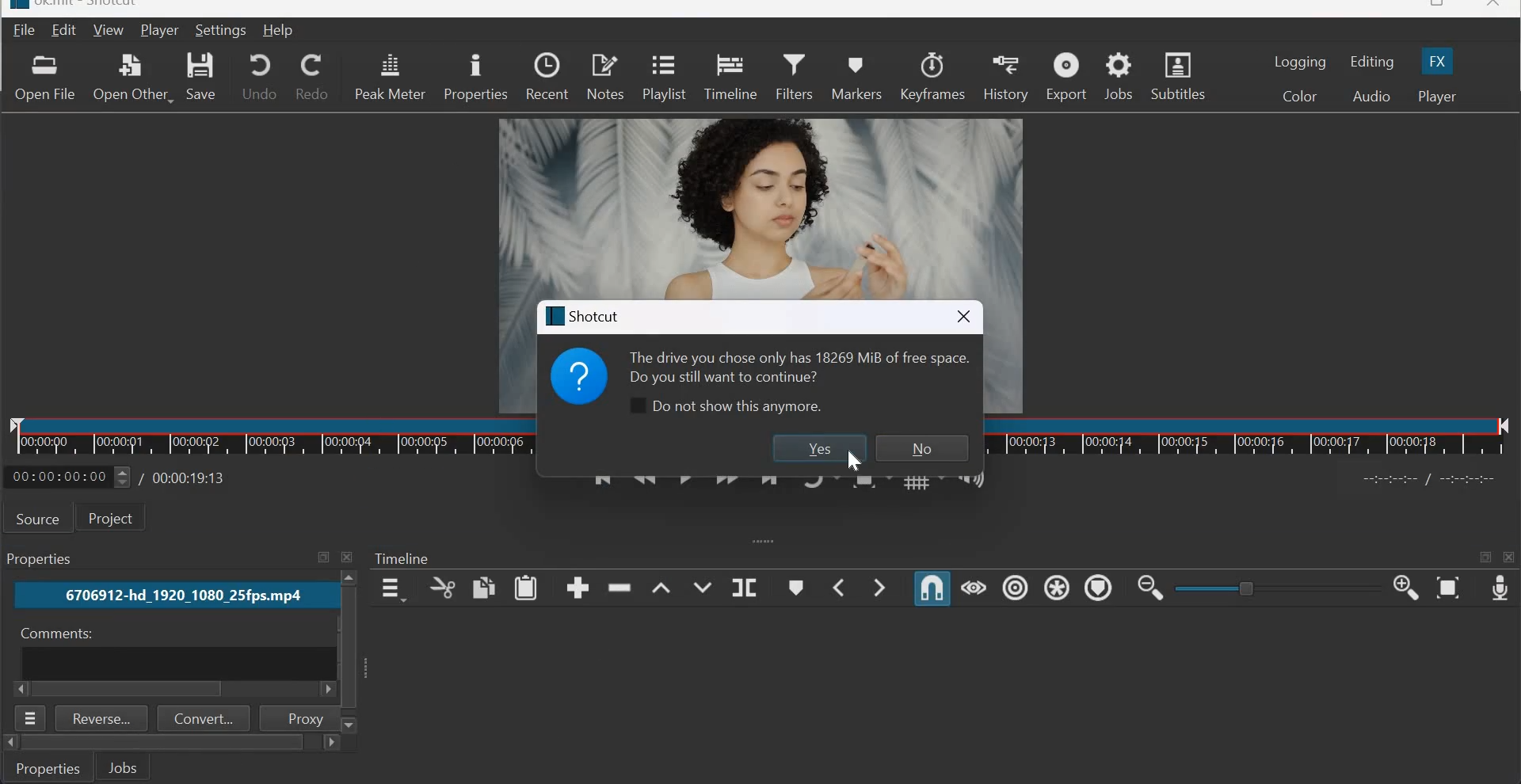 This screenshot has height=784, width=1521. I want to click on Notes, so click(606, 77).